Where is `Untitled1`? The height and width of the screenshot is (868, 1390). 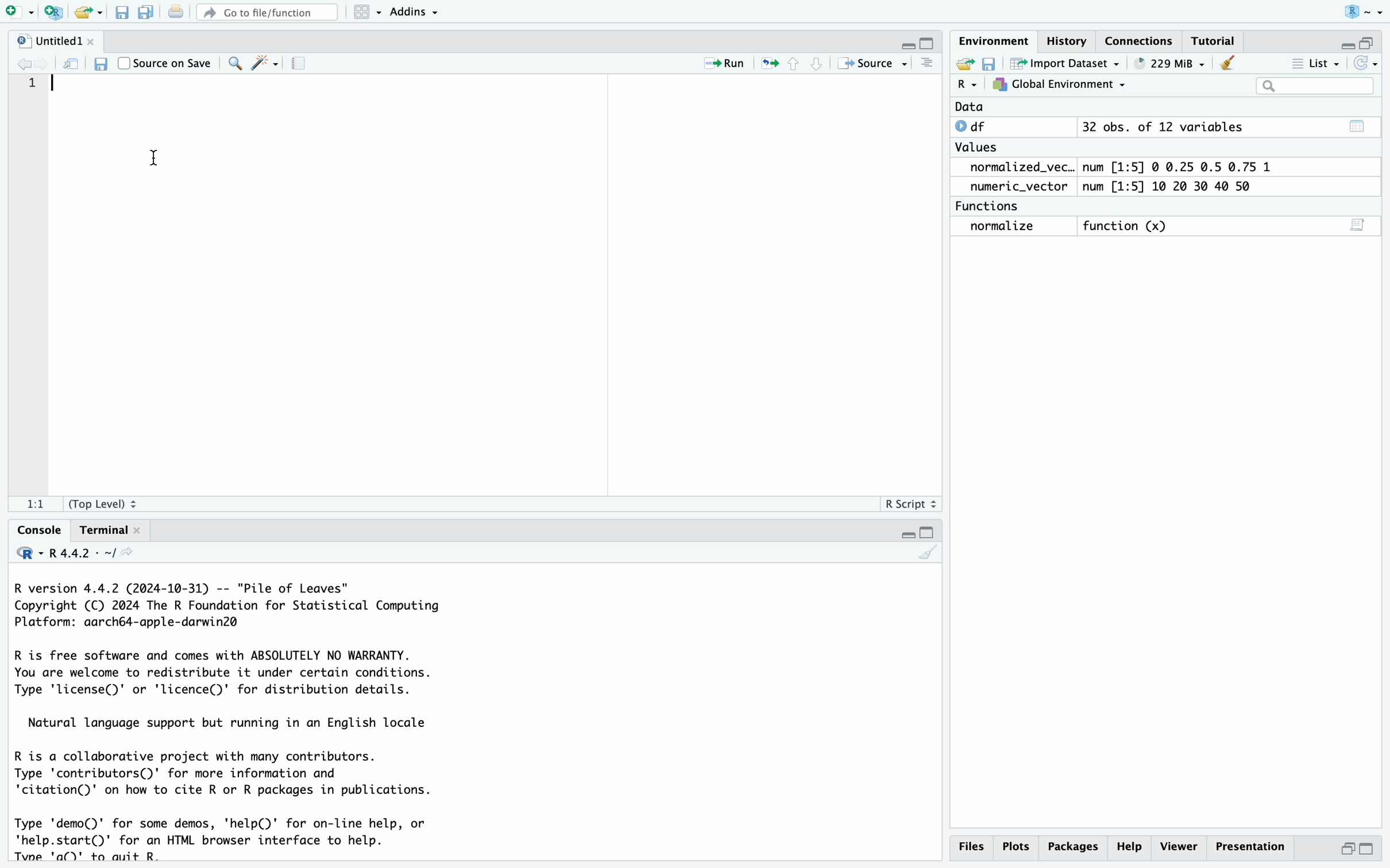 Untitled1 is located at coordinates (49, 42).